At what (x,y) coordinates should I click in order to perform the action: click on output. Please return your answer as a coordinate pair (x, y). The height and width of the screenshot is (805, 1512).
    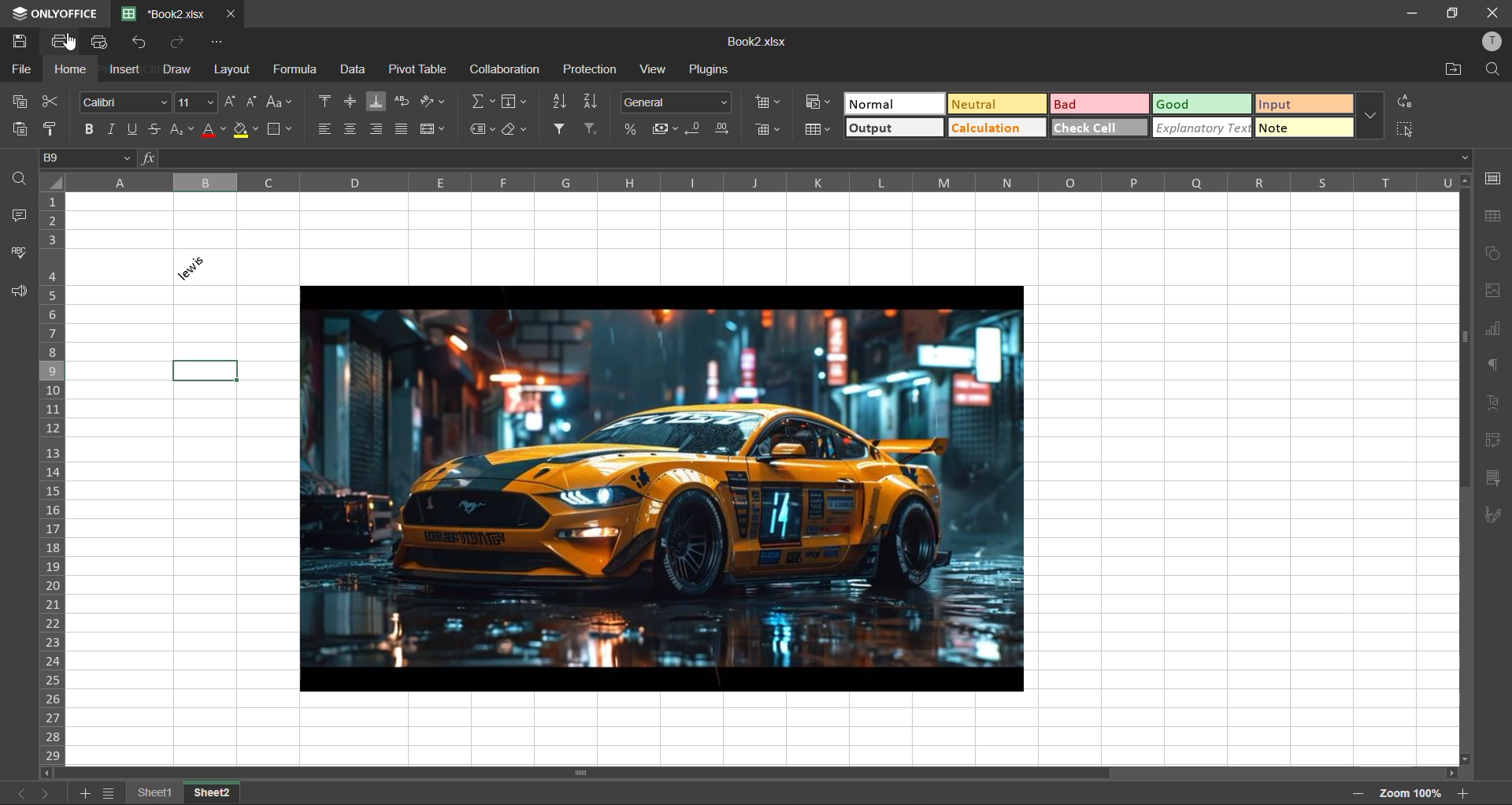
    Looking at the image, I should click on (894, 128).